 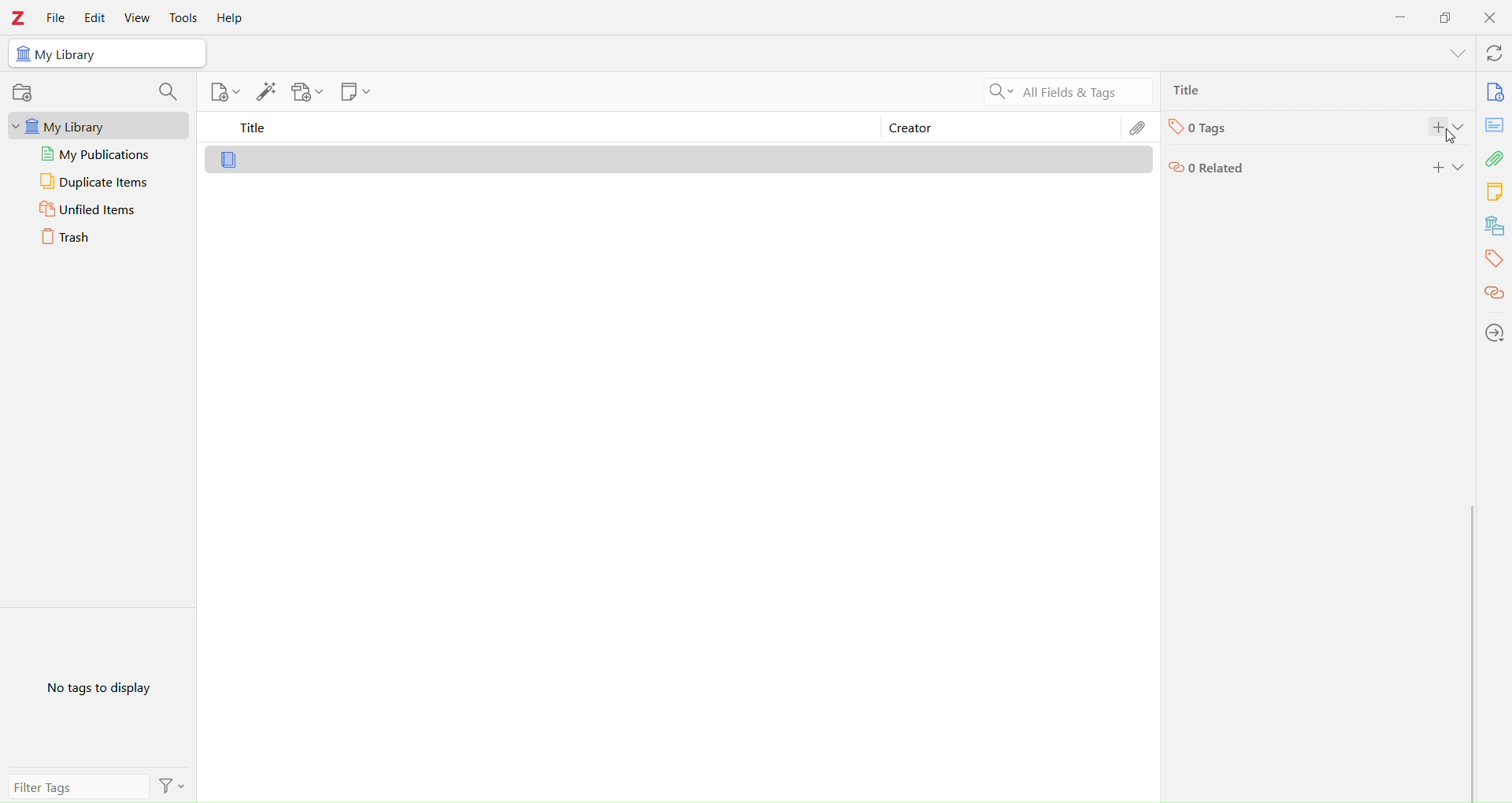 I want to click on All Filters & Tags, so click(x=1065, y=94).